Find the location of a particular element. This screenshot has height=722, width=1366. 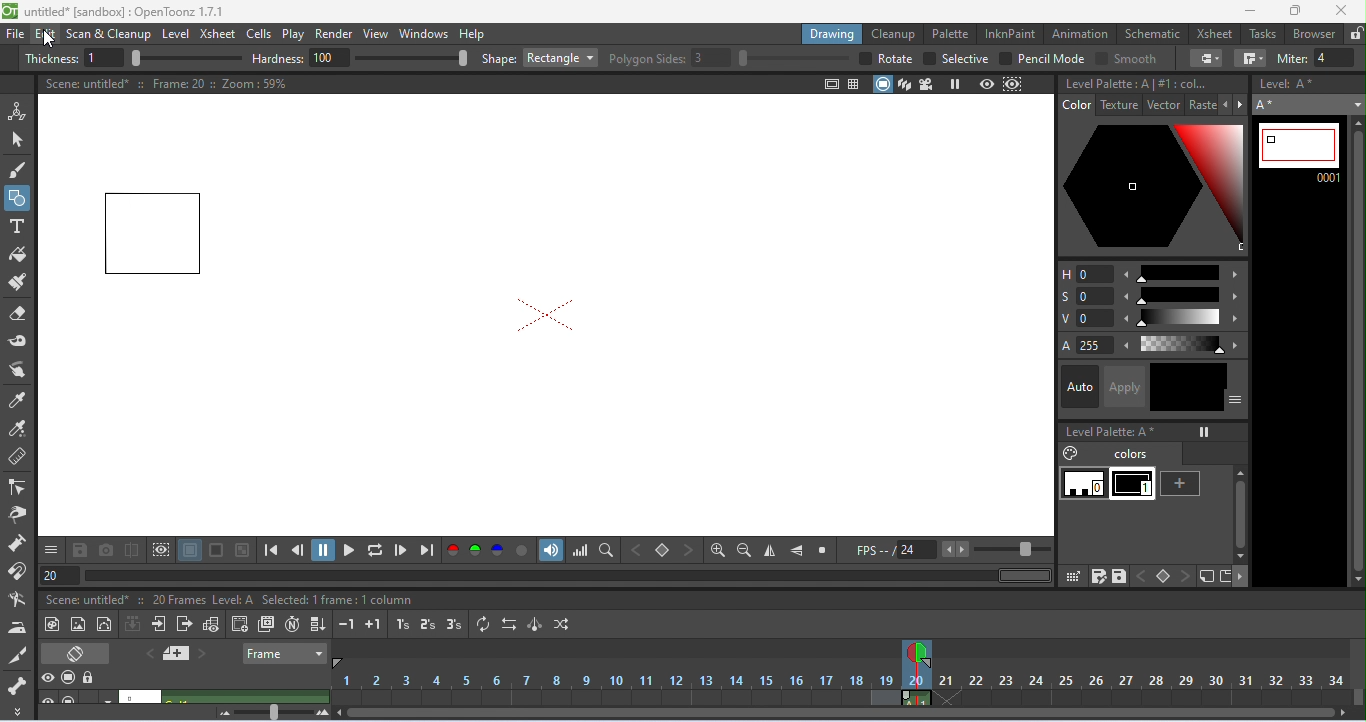

fill in empty cells is located at coordinates (319, 625).